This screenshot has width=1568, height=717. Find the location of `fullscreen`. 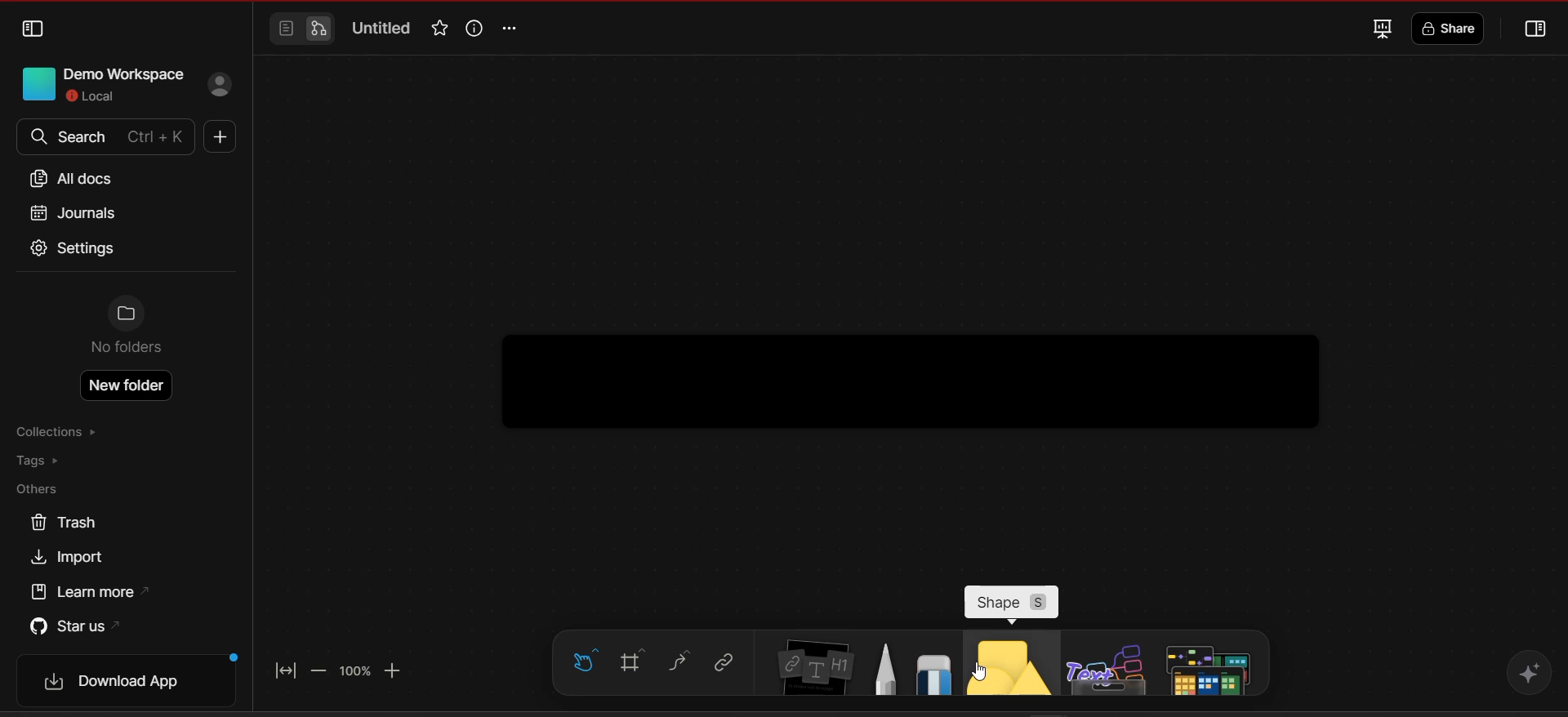

fullscreen is located at coordinates (1380, 28).